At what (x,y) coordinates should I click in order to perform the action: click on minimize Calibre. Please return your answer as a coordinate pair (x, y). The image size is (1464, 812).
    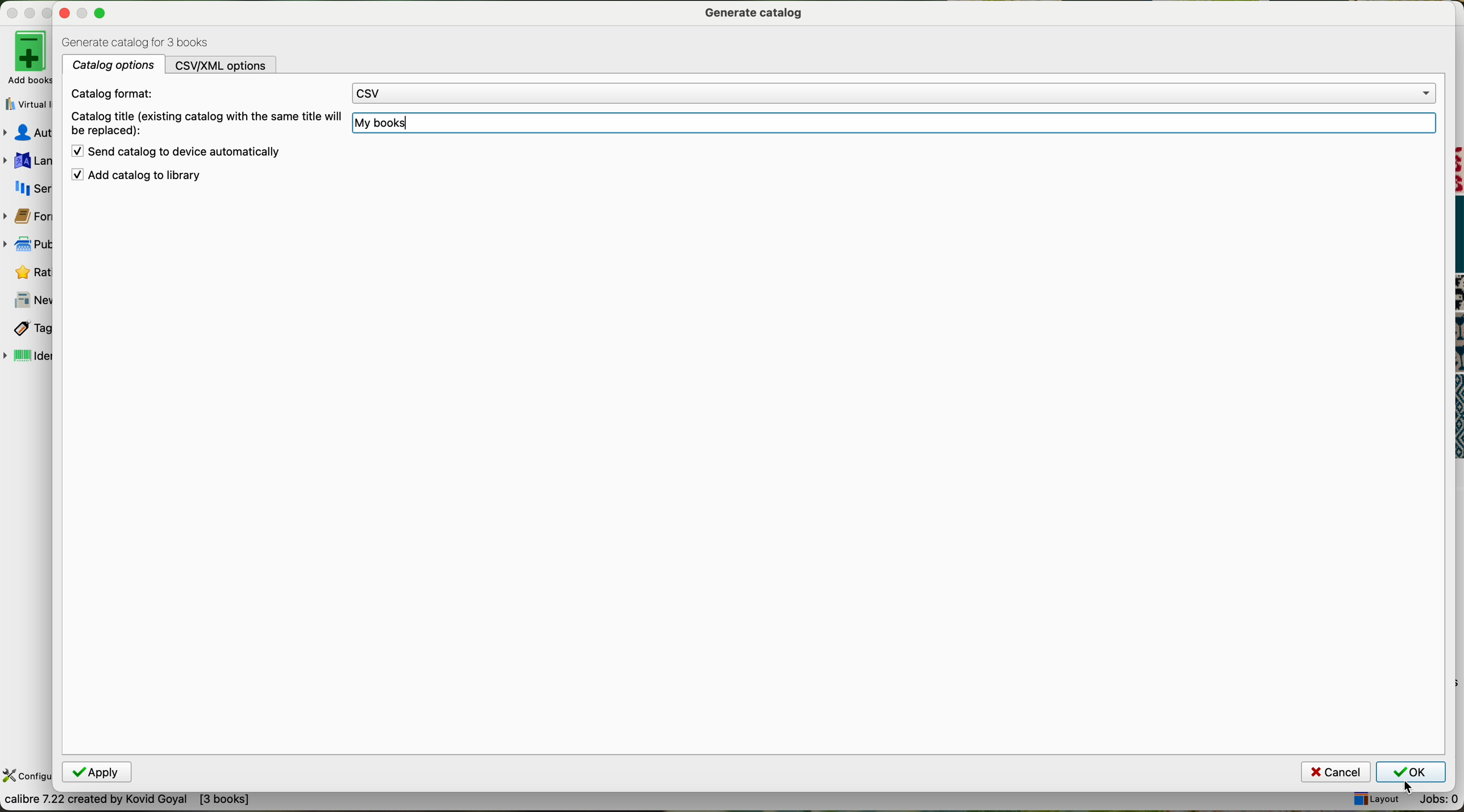
    Looking at the image, I should click on (30, 14).